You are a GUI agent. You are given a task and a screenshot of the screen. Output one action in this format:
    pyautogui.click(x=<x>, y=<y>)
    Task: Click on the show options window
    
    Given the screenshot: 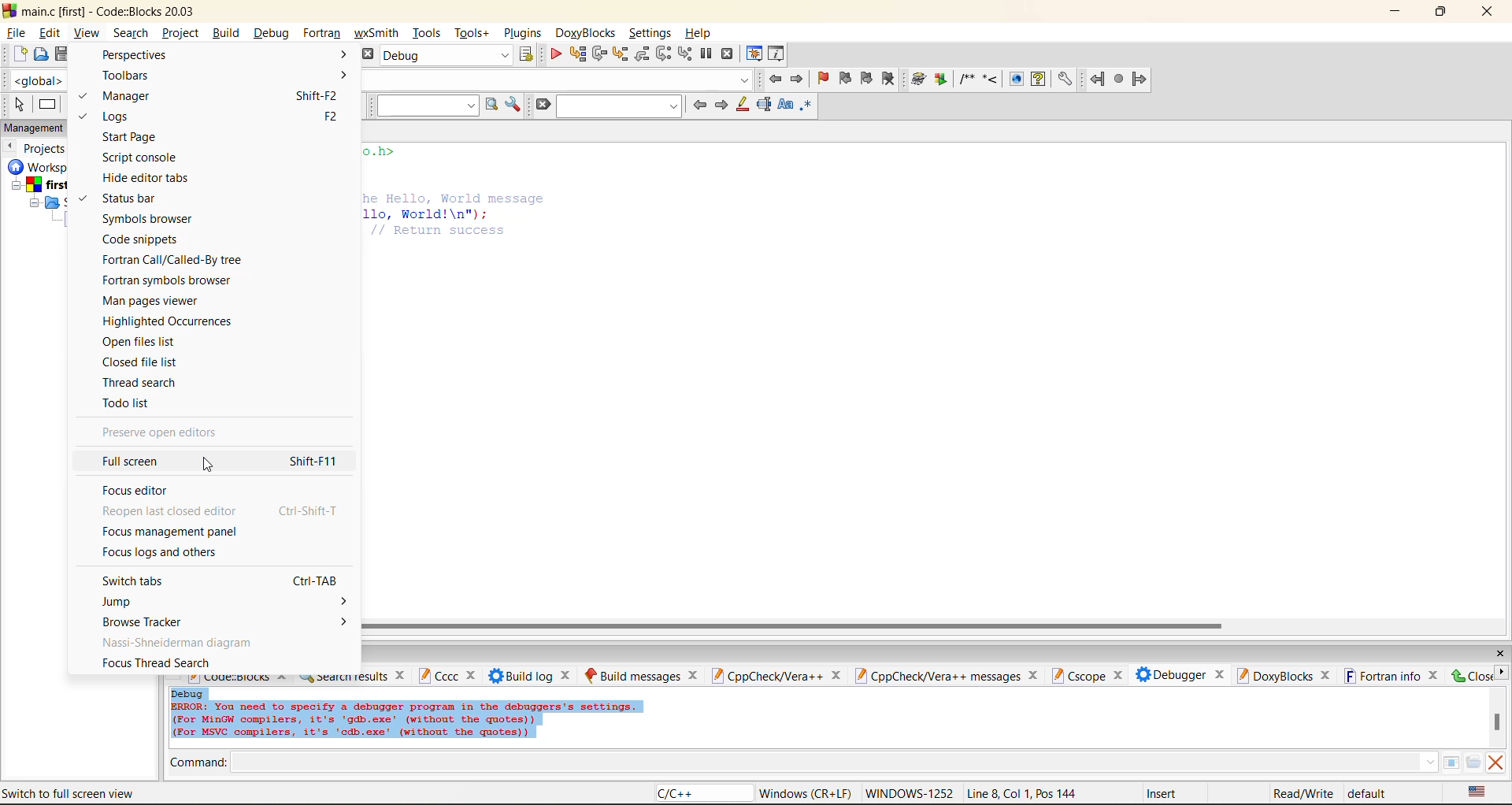 What is the action you would take?
    pyautogui.click(x=514, y=106)
    